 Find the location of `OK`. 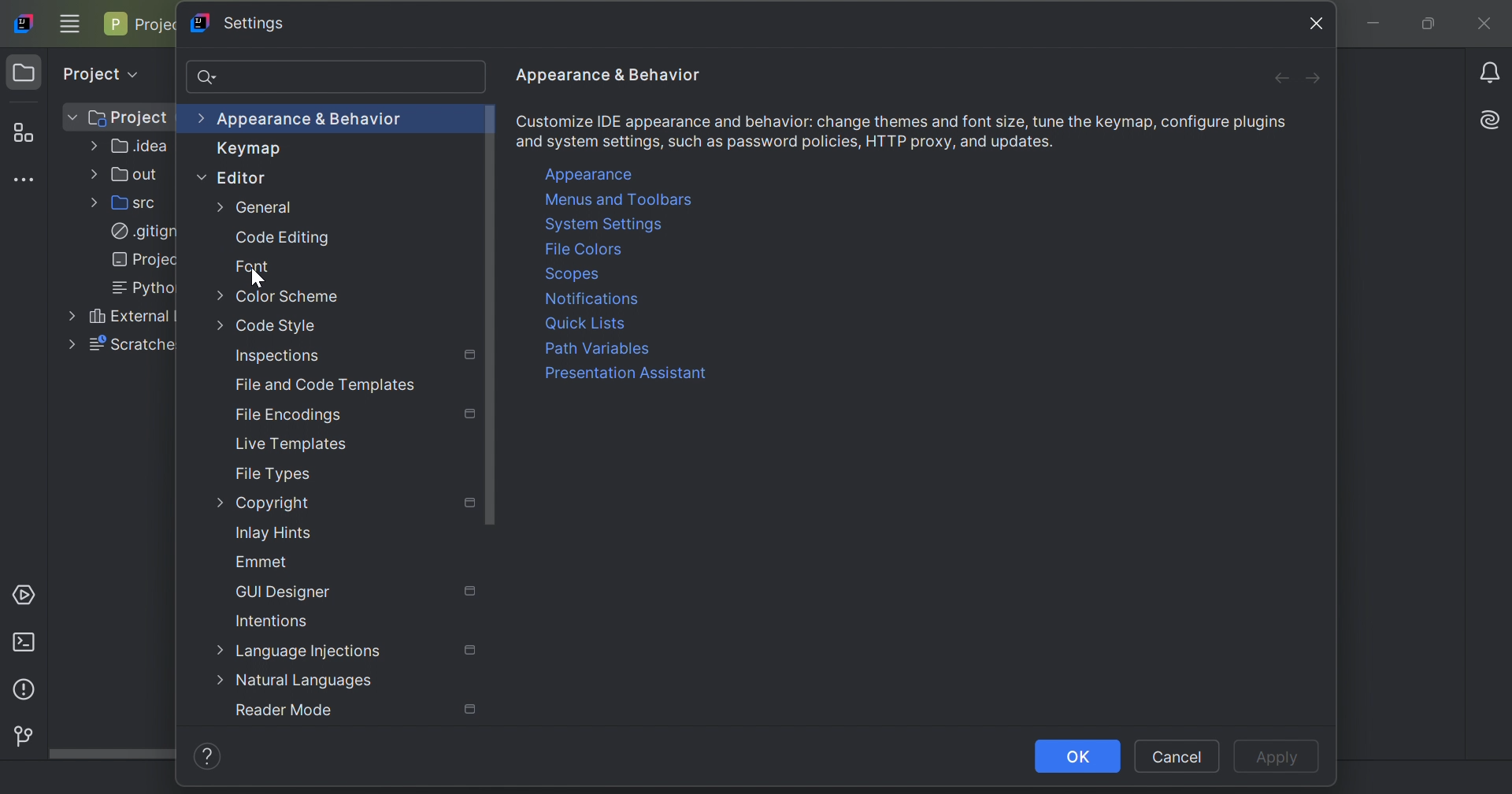

OK is located at coordinates (1078, 756).